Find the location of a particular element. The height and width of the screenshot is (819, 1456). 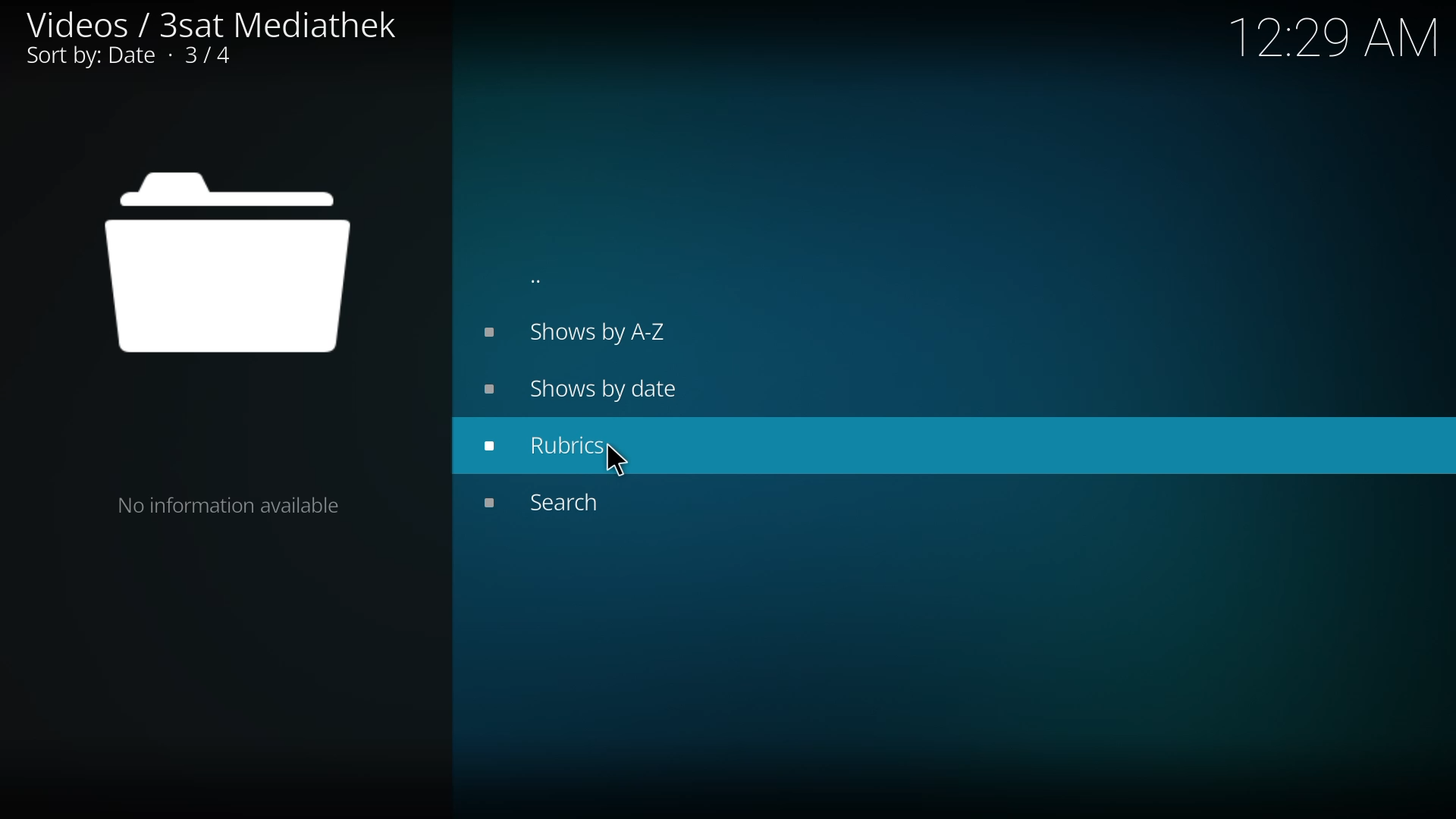

videos is located at coordinates (210, 22).